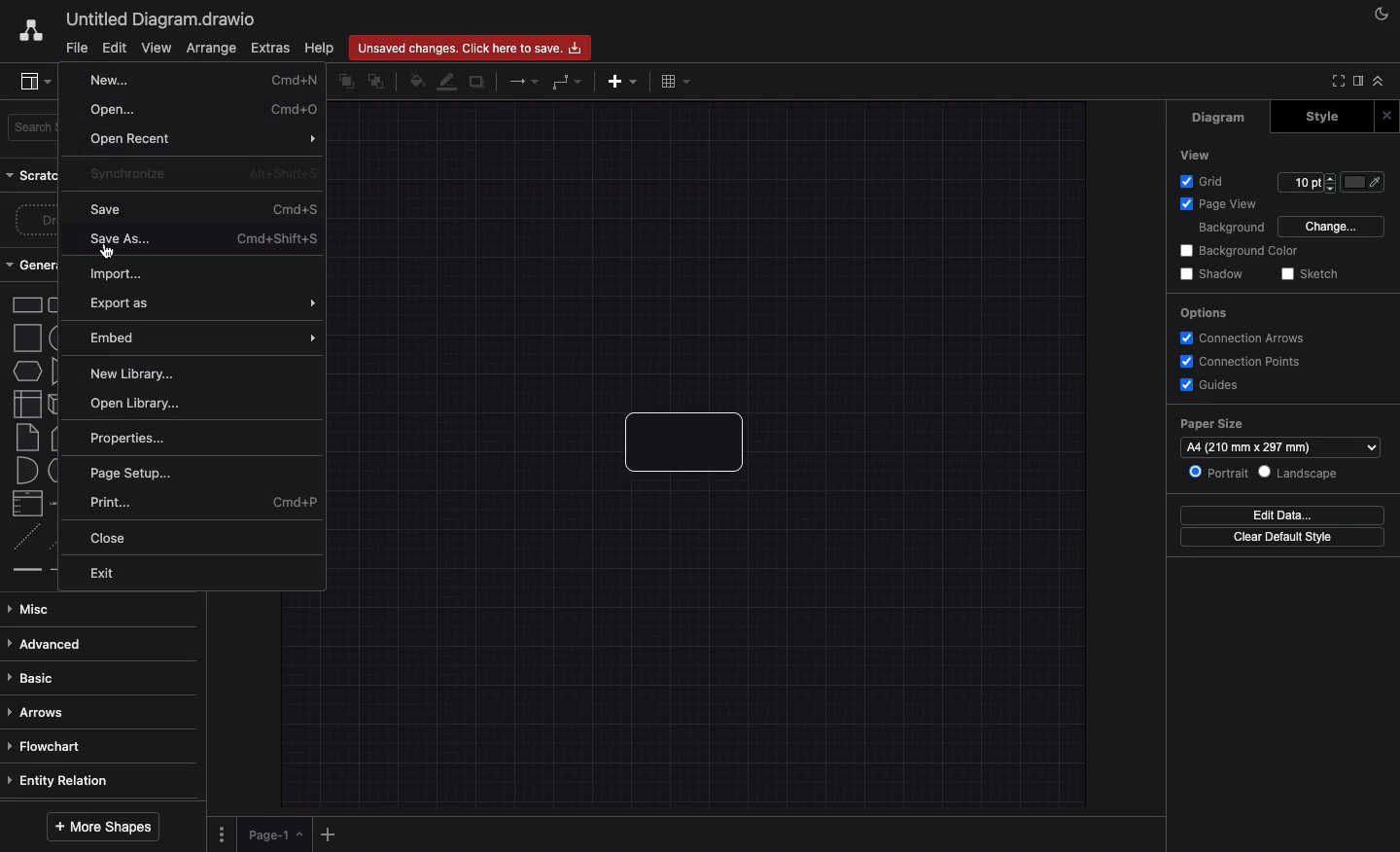  I want to click on Arrows, so click(36, 713).